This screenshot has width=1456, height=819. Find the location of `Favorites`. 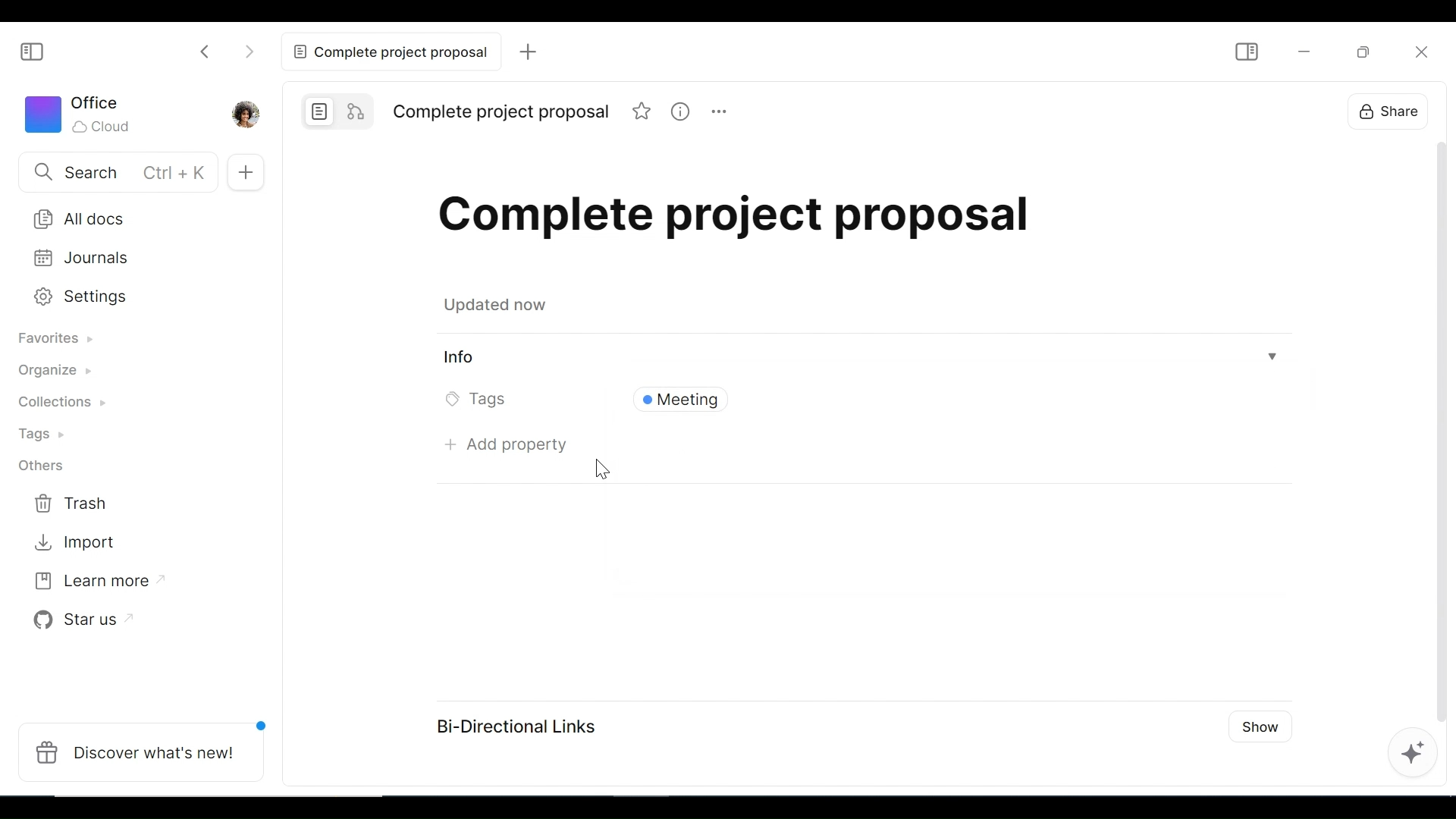

Favorites is located at coordinates (66, 341).